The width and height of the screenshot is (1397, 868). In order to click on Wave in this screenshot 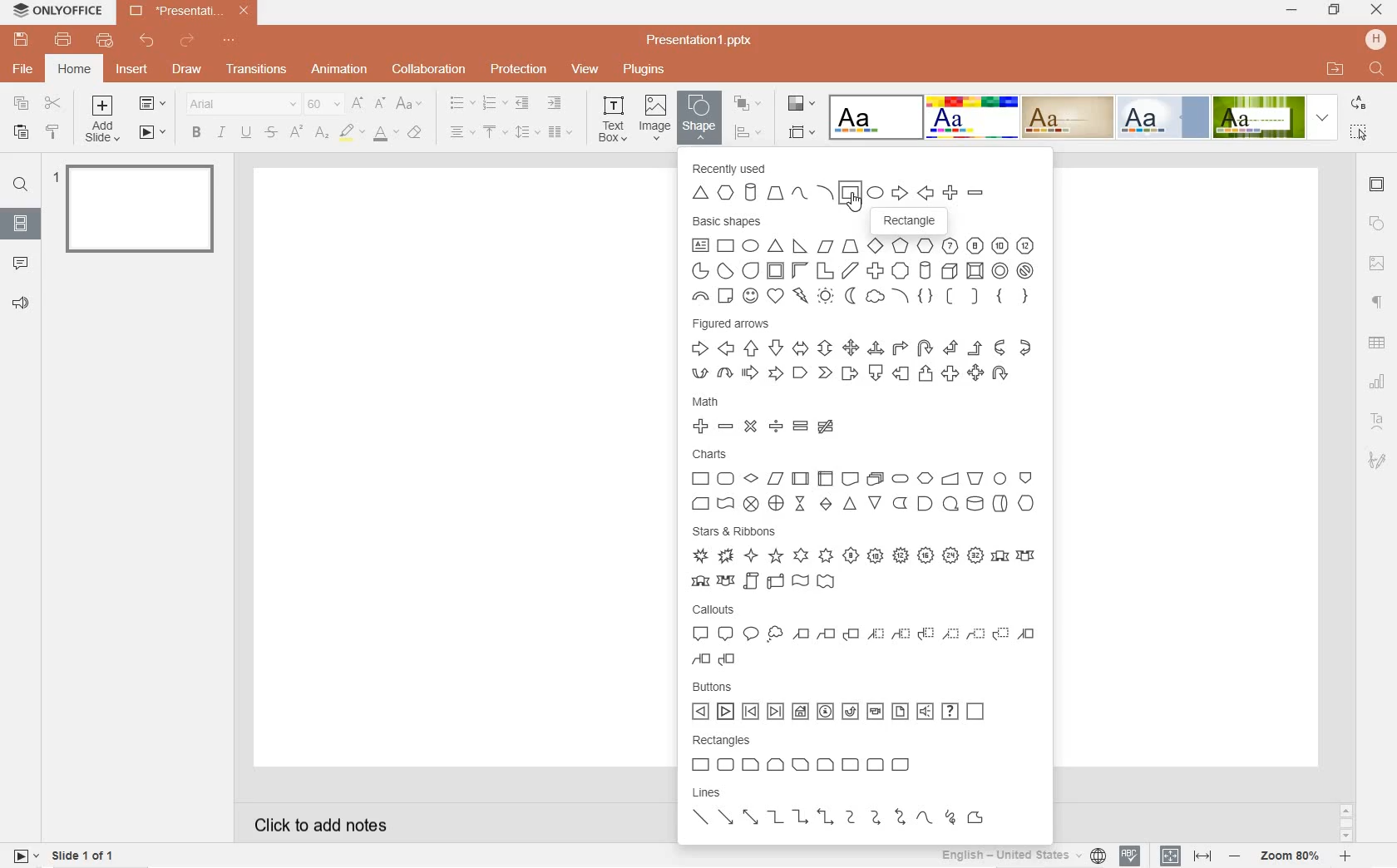, I will do `click(802, 581)`.